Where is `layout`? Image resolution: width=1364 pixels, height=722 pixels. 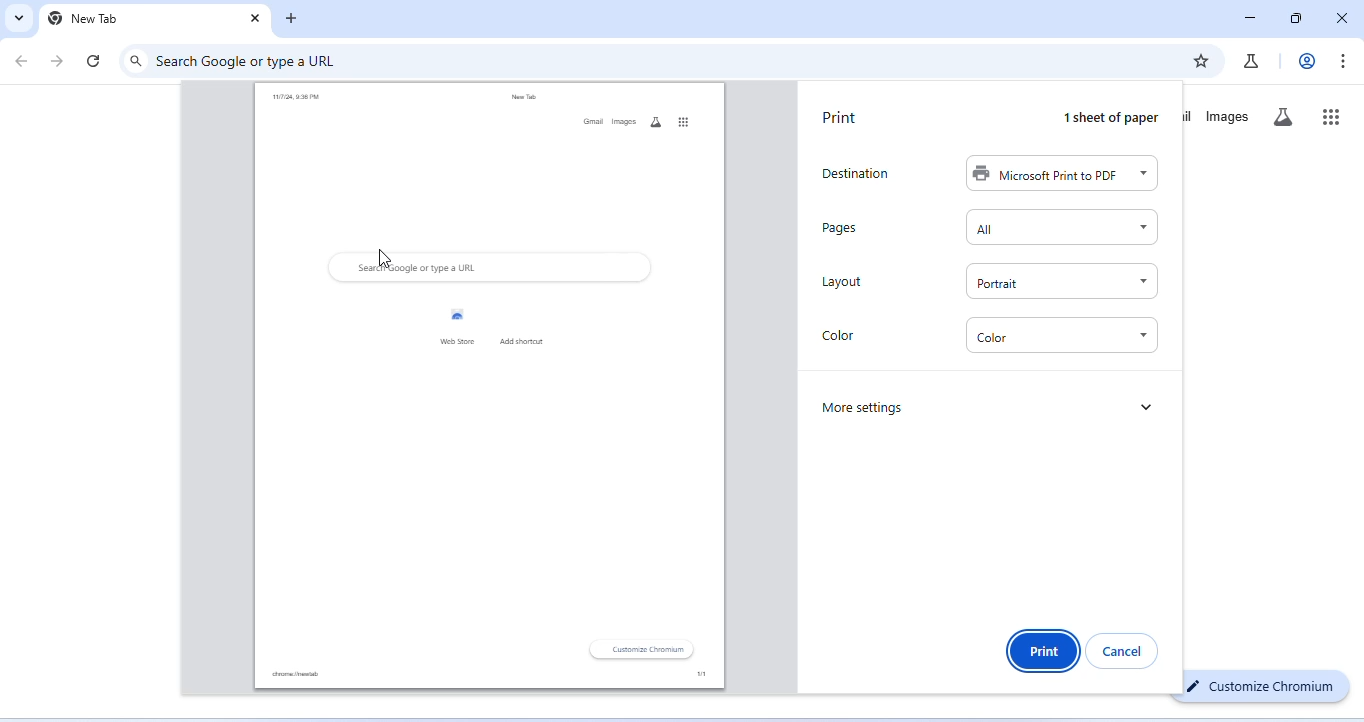 layout is located at coordinates (843, 282).